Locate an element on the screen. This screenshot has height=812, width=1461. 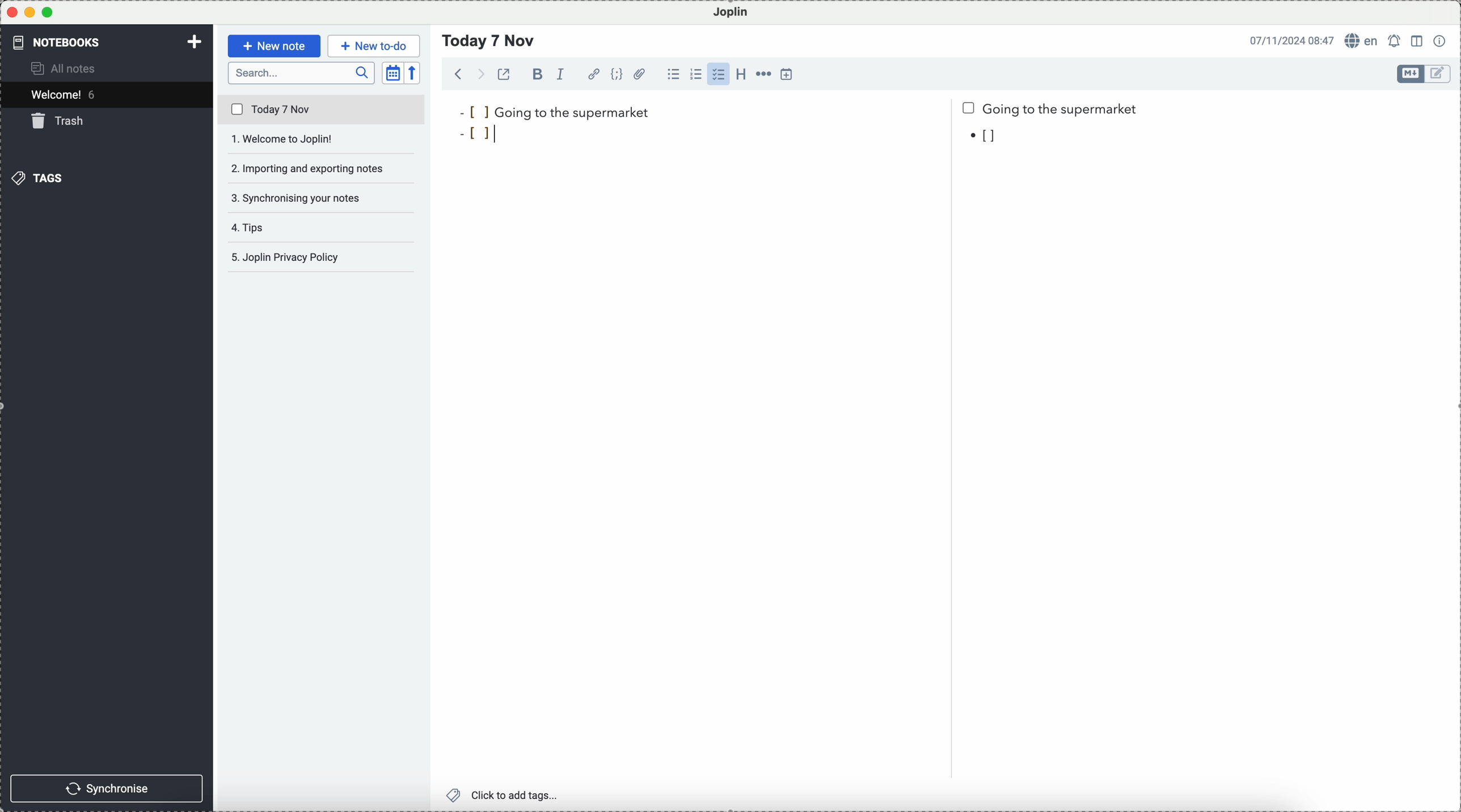
new note button is located at coordinates (275, 46).